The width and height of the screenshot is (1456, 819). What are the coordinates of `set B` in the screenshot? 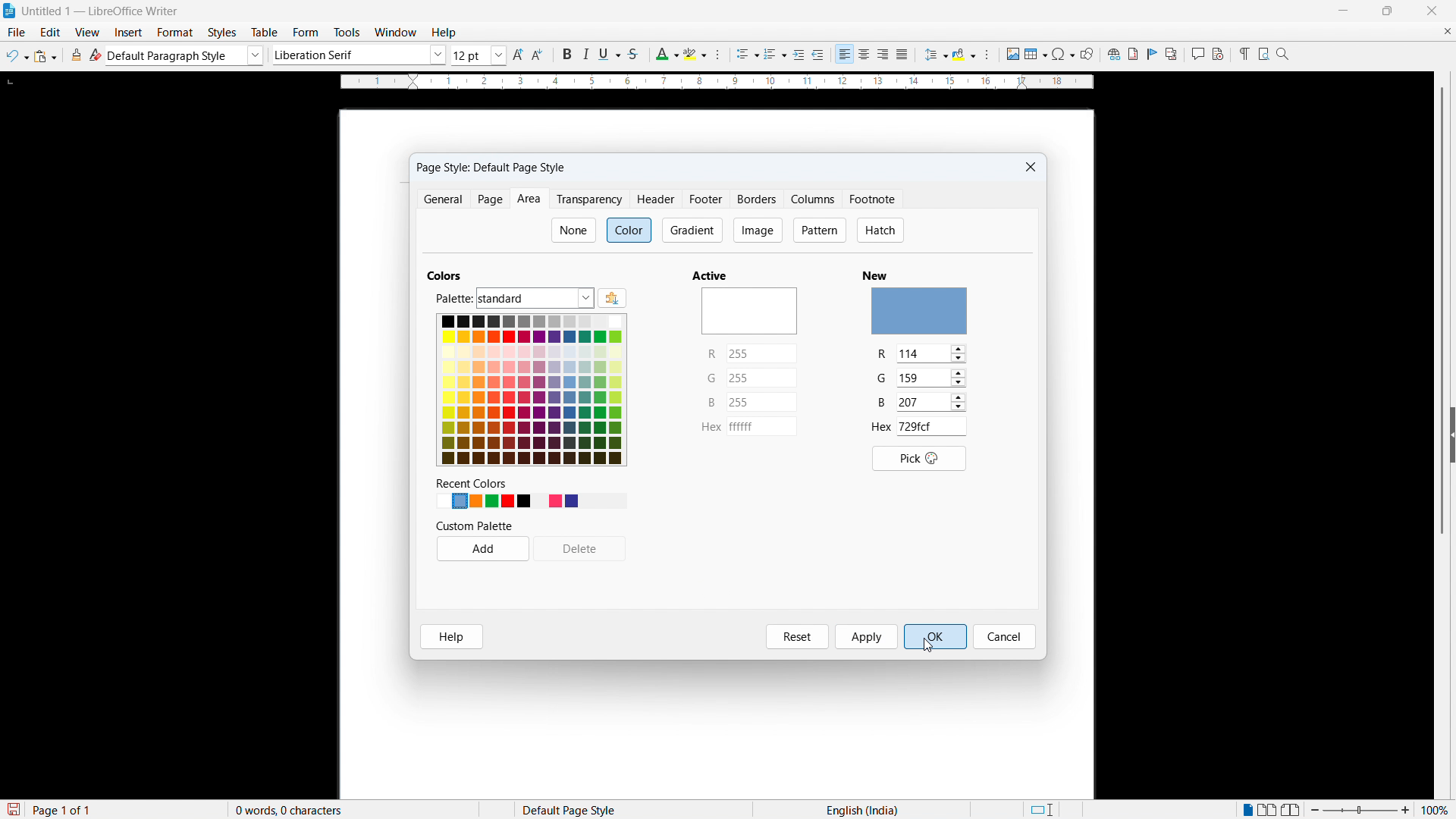 It's located at (931, 403).